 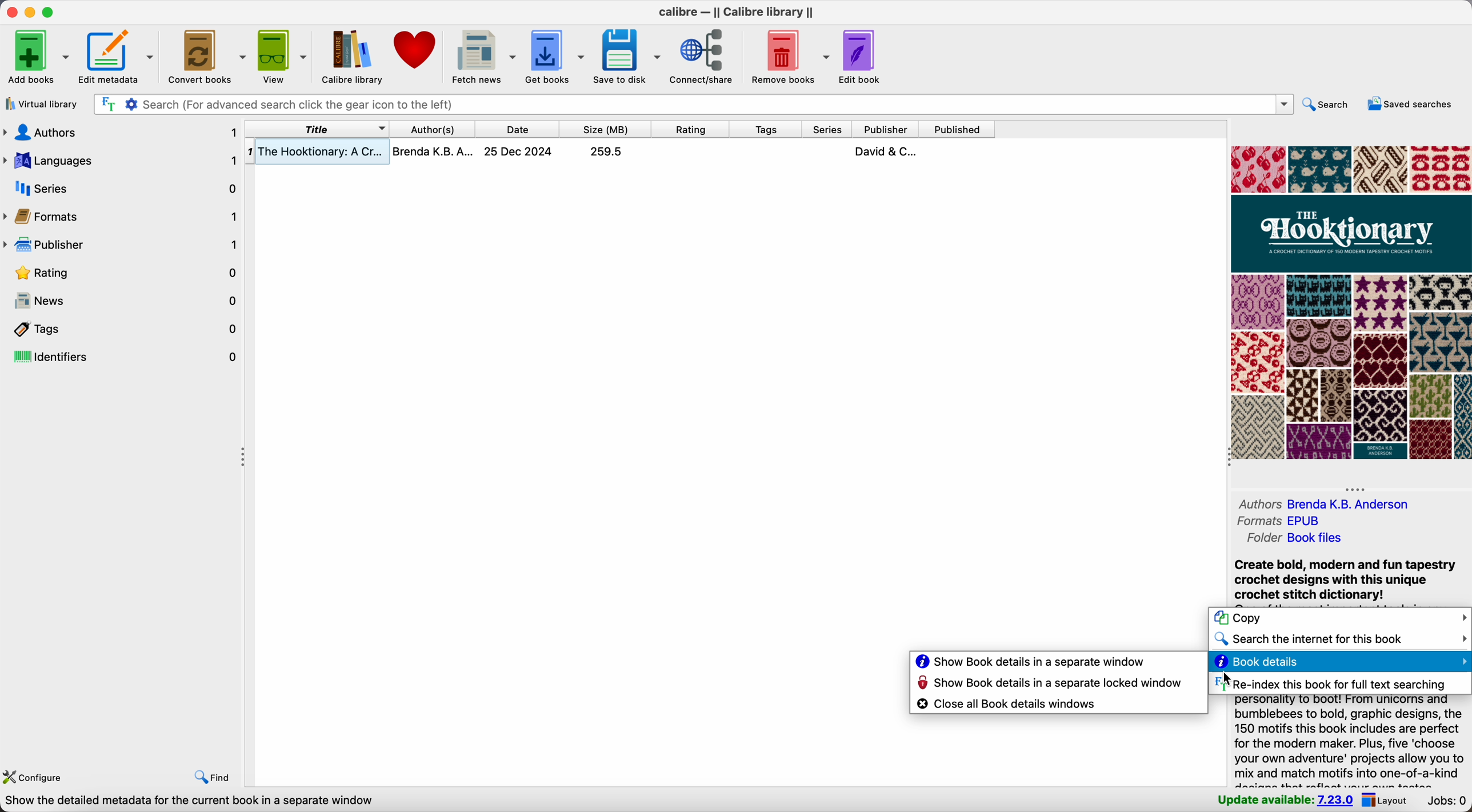 What do you see at coordinates (29, 13) in the screenshot?
I see `minimize` at bounding box center [29, 13].